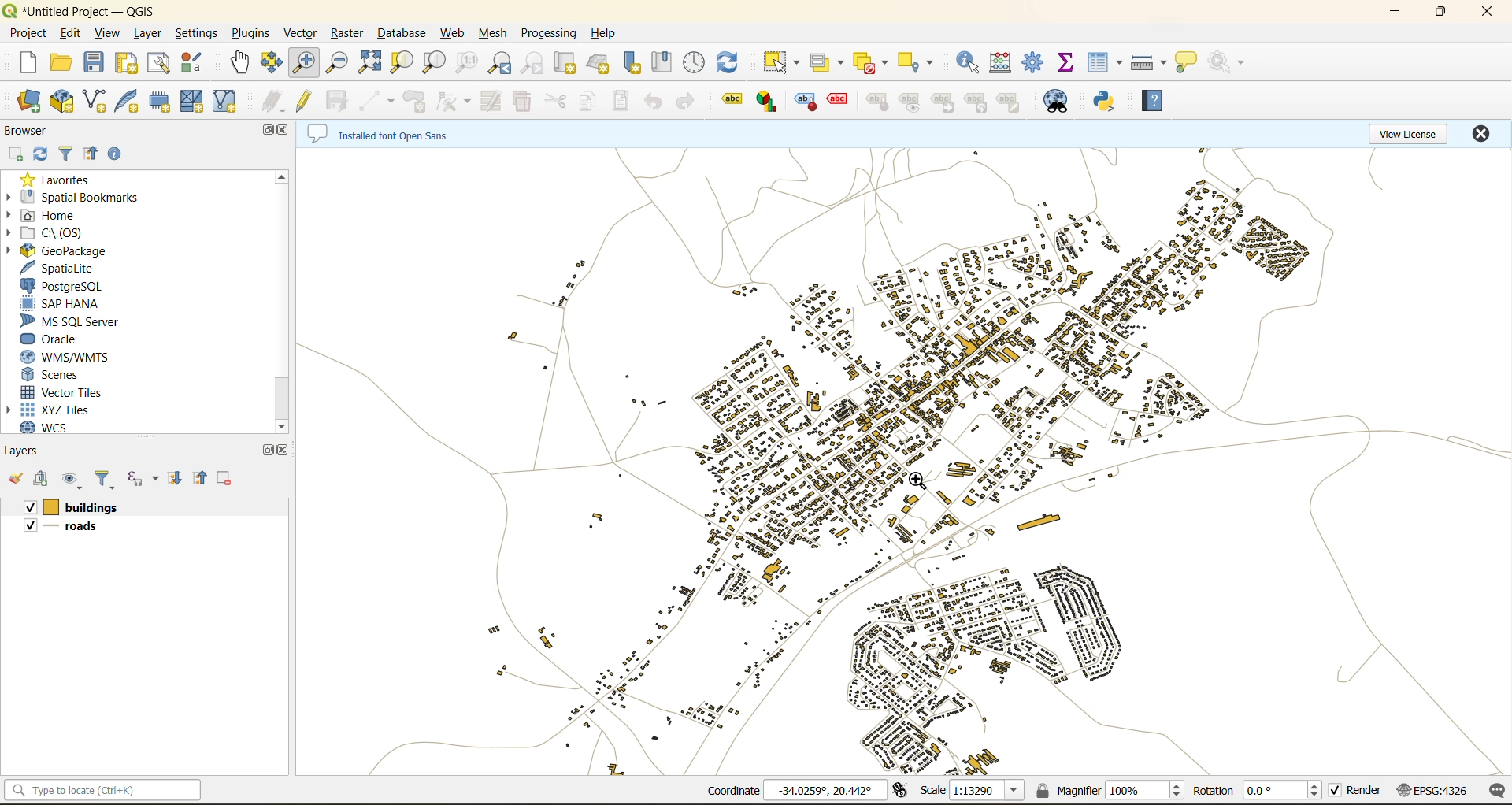 Image resolution: width=1512 pixels, height=805 pixels. What do you see at coordinates (62, 303) in the screenshot?
I see `sap hana` at bounding box center [62, 303].